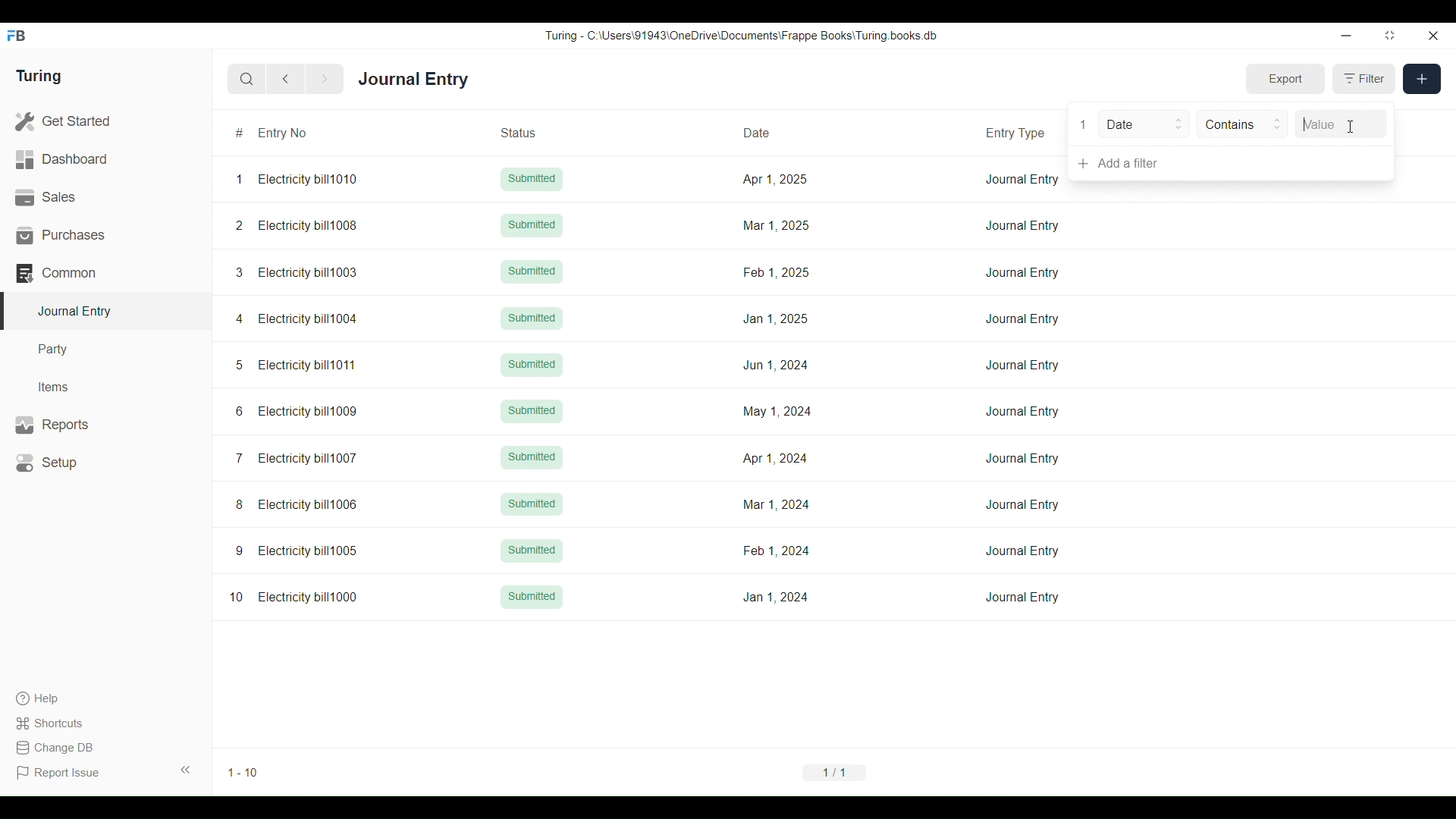  What do you see at coordinates (776, 365) in the screenshot?
I see `Jun 1, 2024` at bounding box center [776, 365].